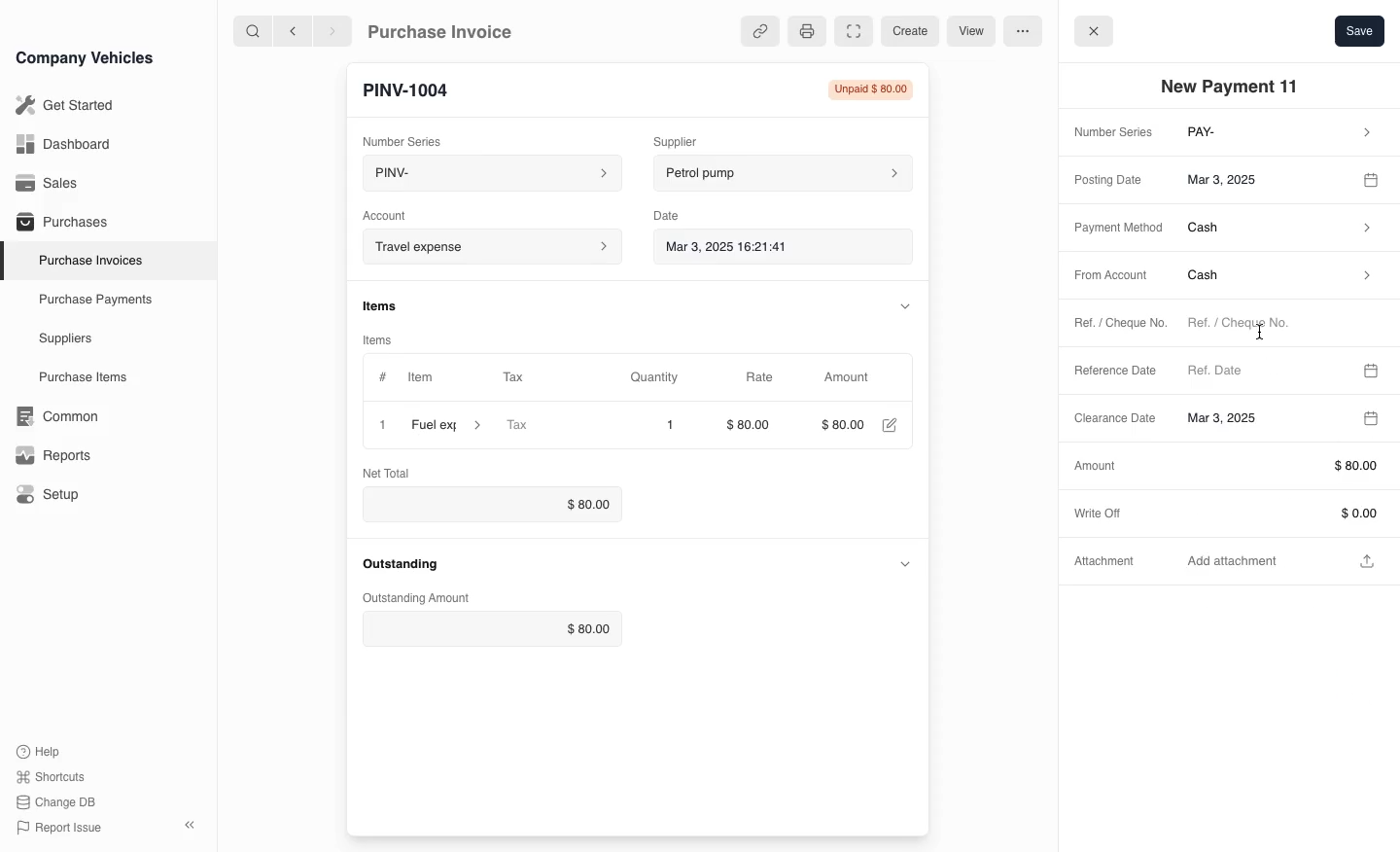  What do you see at coordinates (968, 32) in the screenshot?
I see `view` at bounding box center [968, 32].